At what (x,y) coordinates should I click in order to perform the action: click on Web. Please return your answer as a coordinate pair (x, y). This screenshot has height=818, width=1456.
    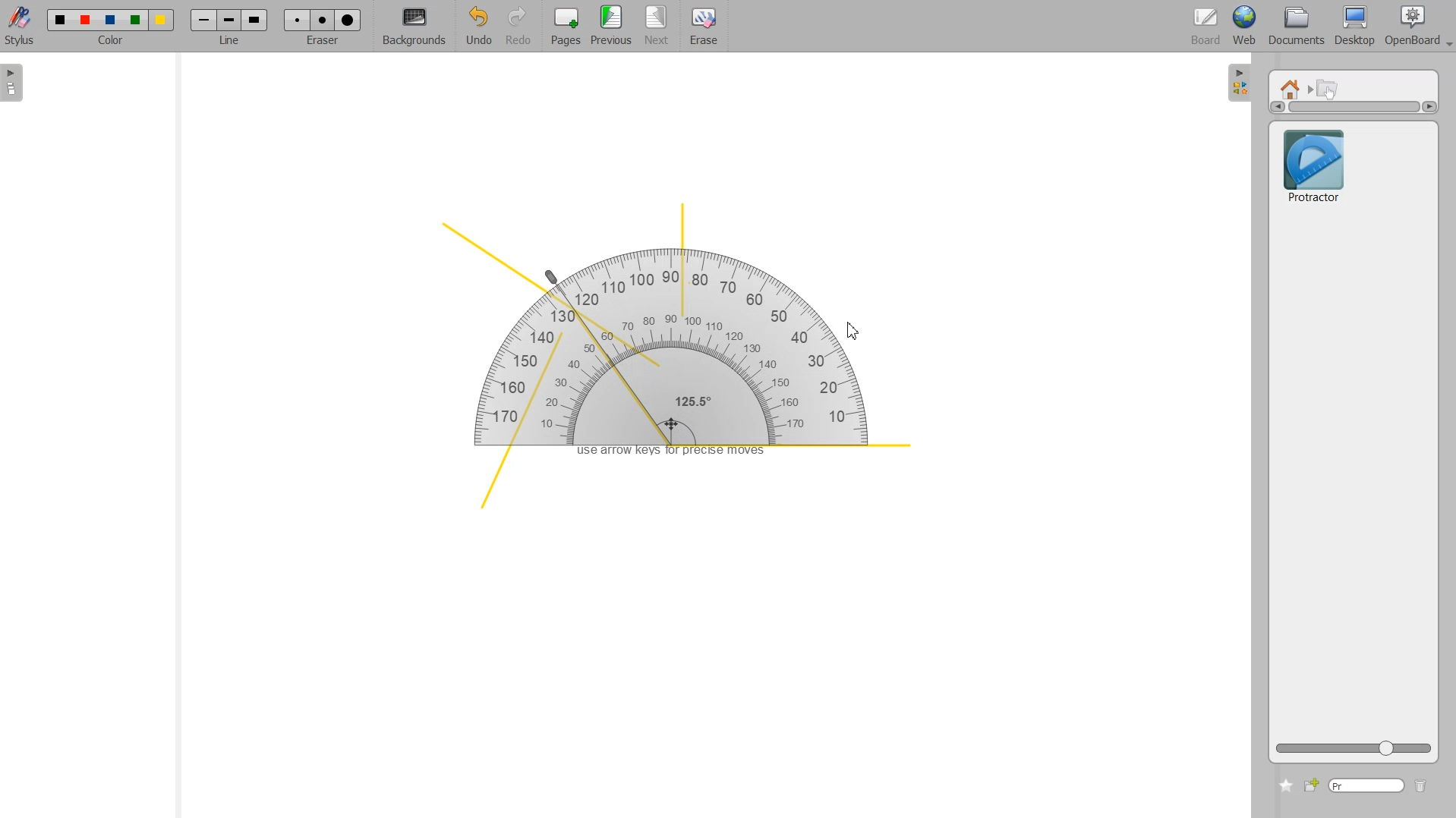
    Looking at the image, I should click on (1245, 27).